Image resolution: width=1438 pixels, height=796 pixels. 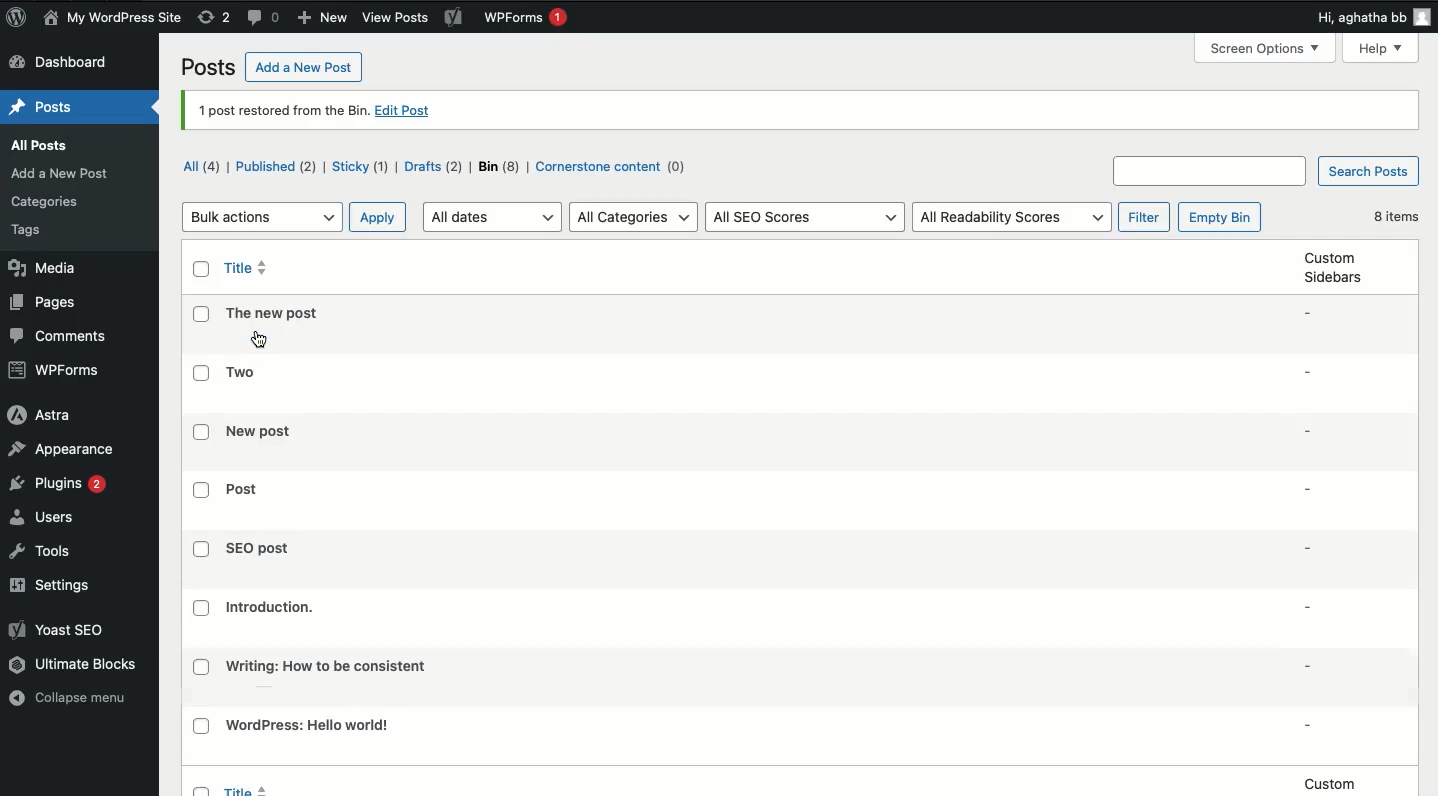 I want to click on add Post, so click(x=60, y=172).